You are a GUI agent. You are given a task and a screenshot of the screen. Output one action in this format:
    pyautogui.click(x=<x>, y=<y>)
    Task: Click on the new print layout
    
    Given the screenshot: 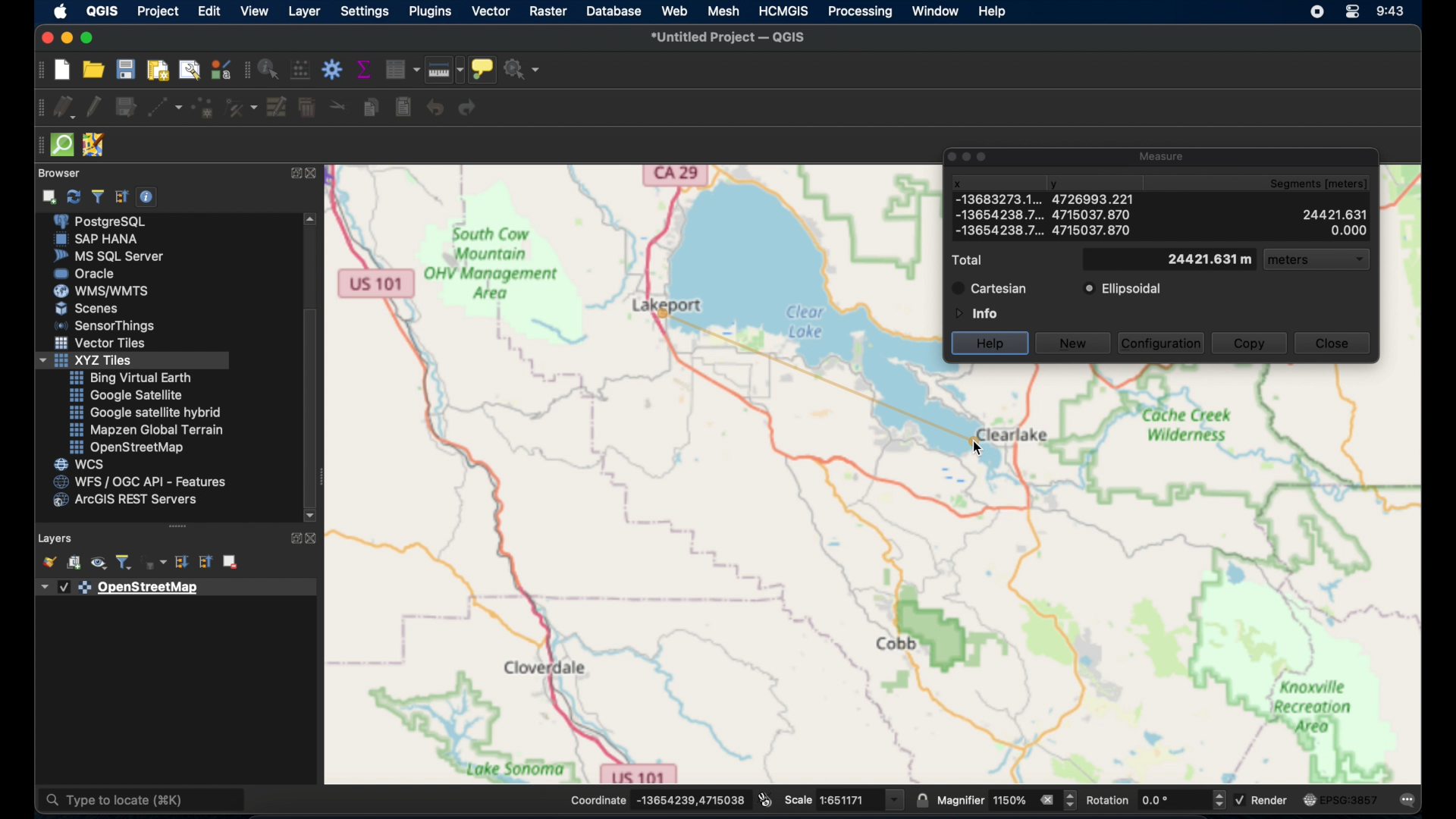 What is the action you would take?
    pyautogui.click(x=160, y=70)
    